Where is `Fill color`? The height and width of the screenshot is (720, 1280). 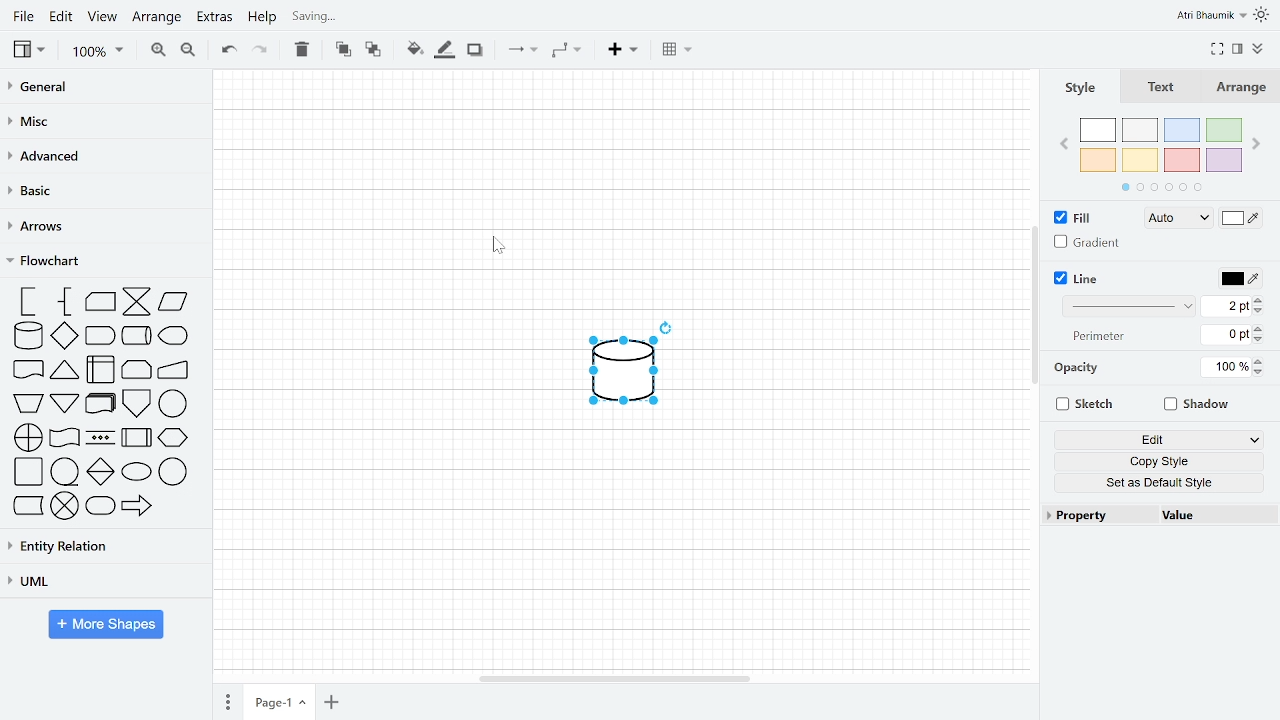 Fill color is located at coordinates (1242, 218).